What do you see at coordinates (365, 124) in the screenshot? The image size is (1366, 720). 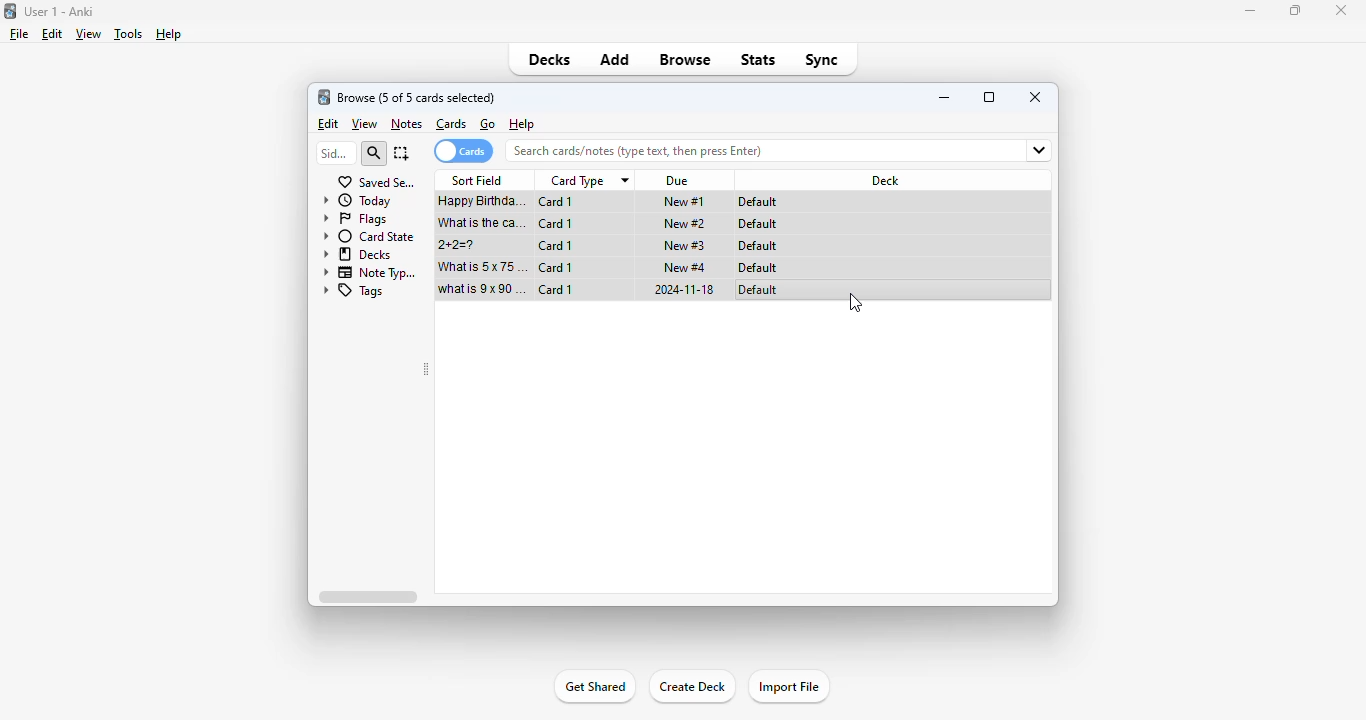 I see `view` at bounding box center [365, 124].